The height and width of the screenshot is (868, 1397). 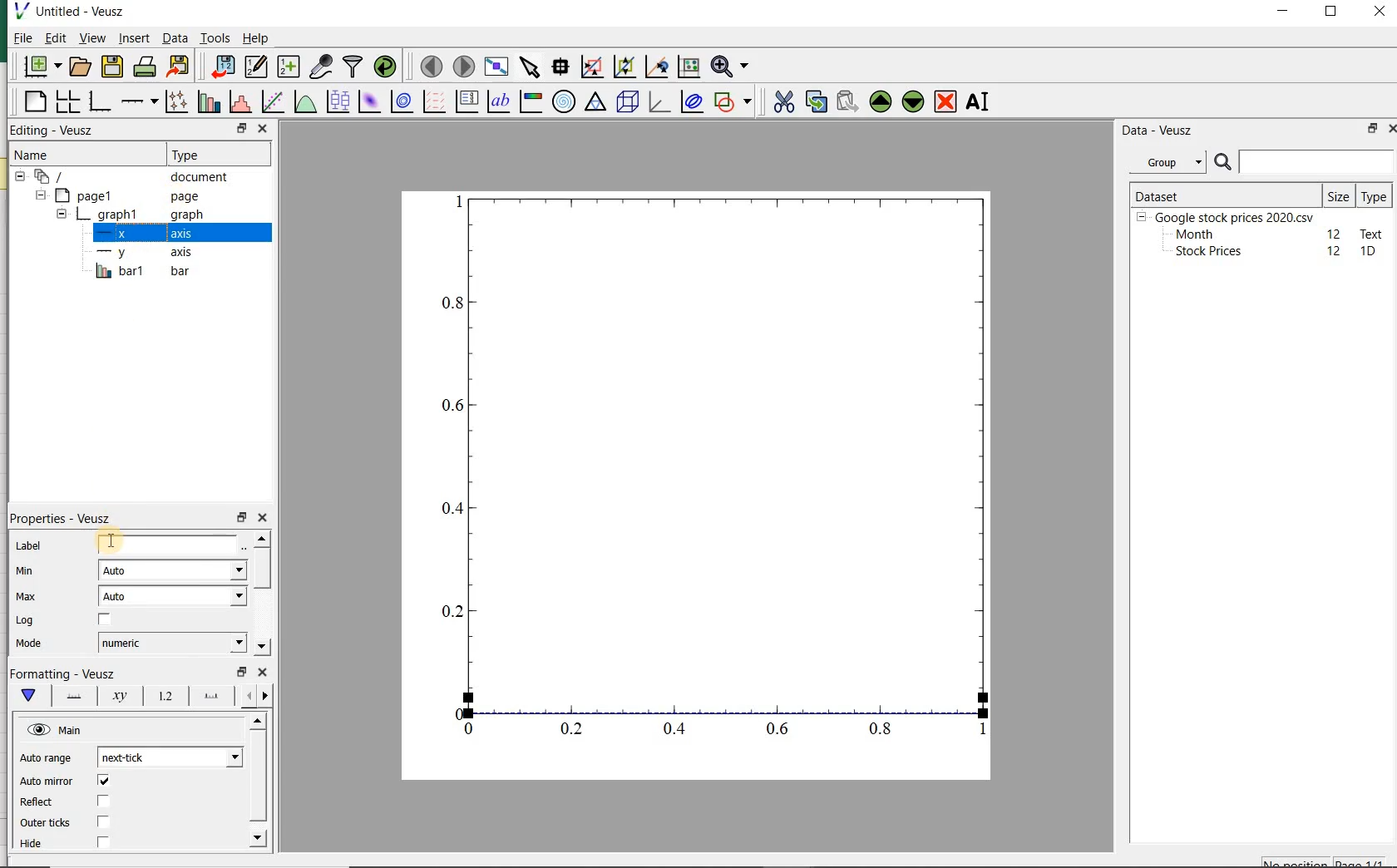 I want to click on cursor, so click(x=133, y=49).